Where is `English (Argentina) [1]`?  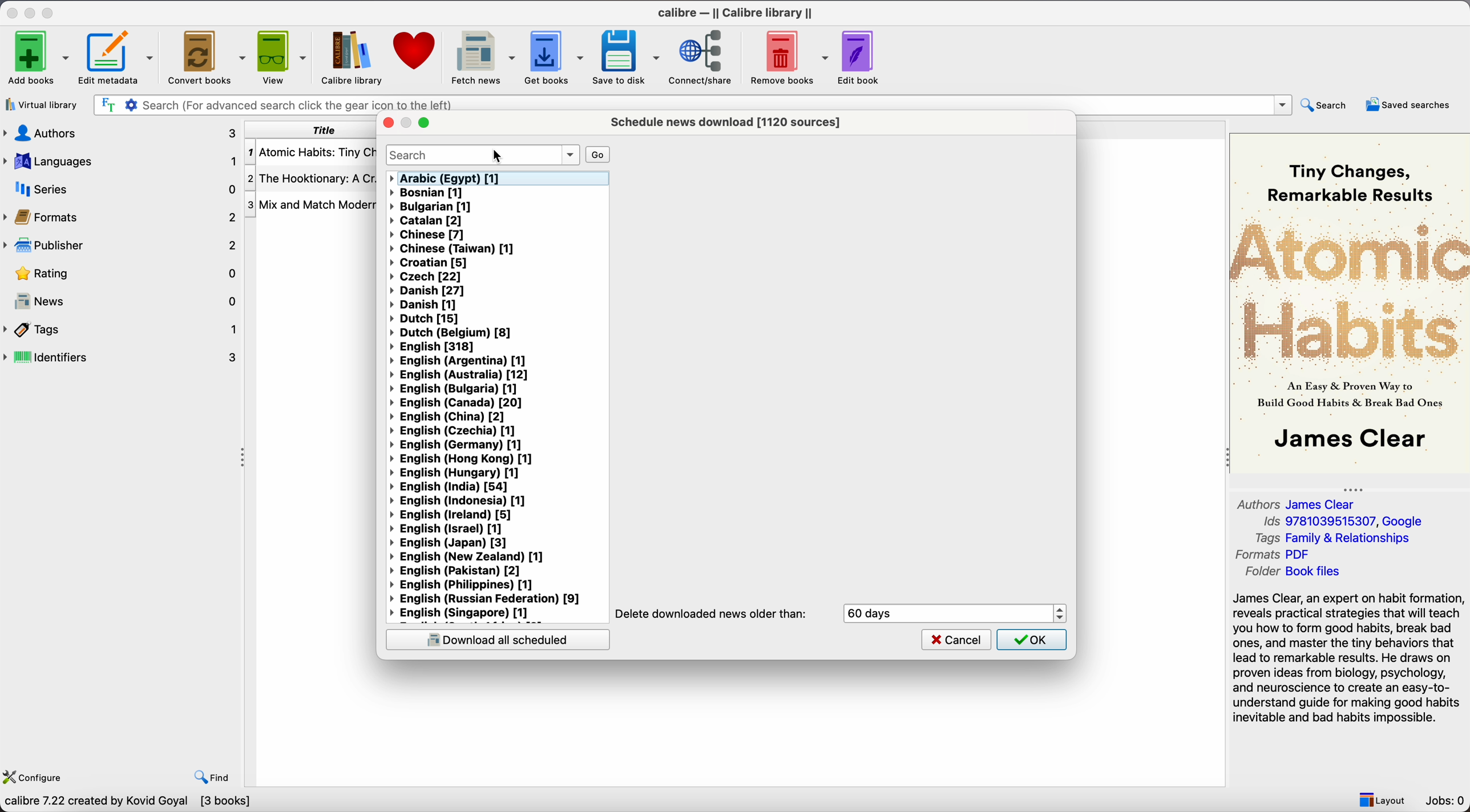
English (Argentina) [1] is located at coordinates (459, 361).